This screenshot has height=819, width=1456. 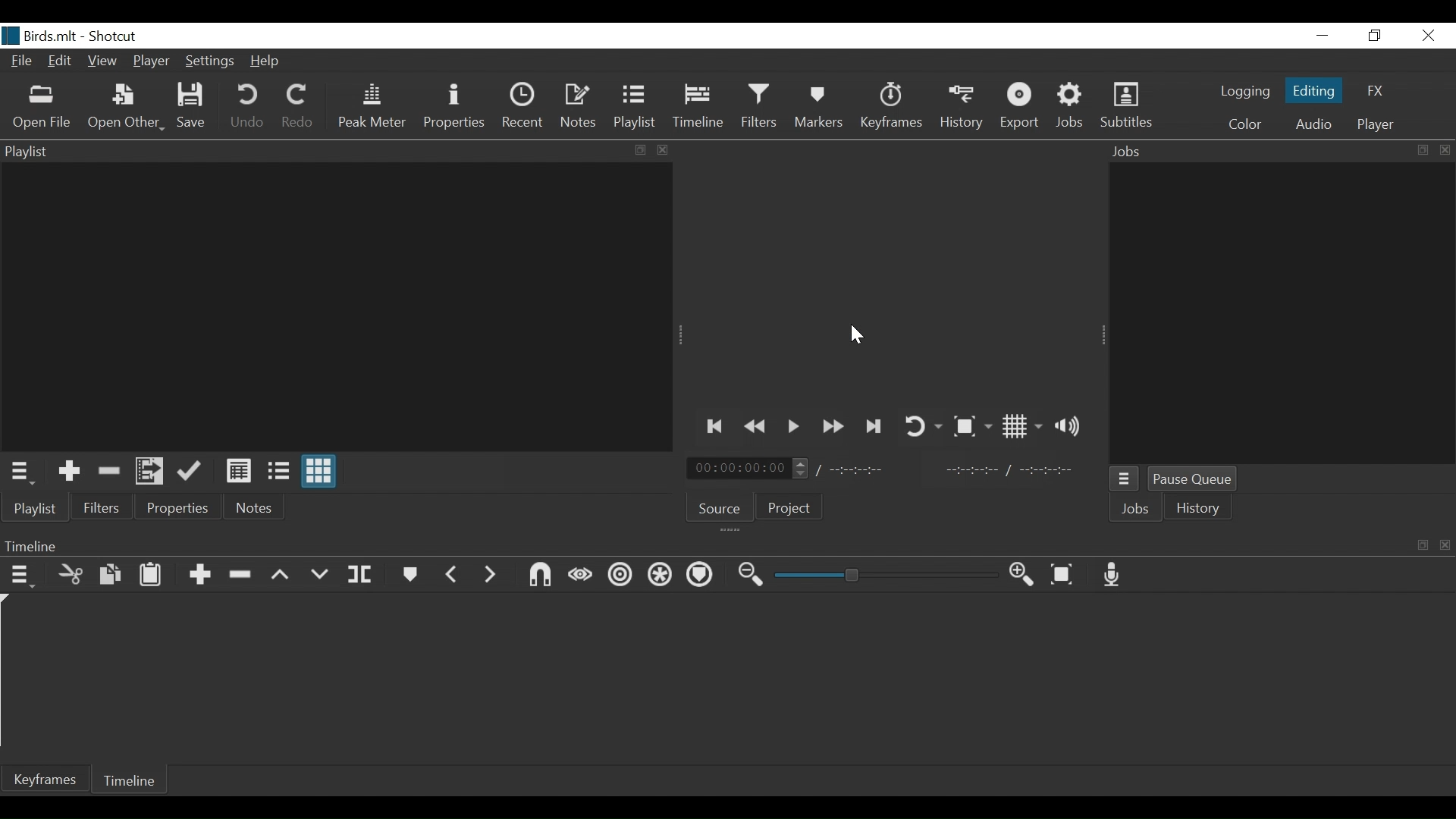 What do you see at coordinates (108, 470) in the screenshot?
I see `Remove cut` at bounding box center [108, 470].